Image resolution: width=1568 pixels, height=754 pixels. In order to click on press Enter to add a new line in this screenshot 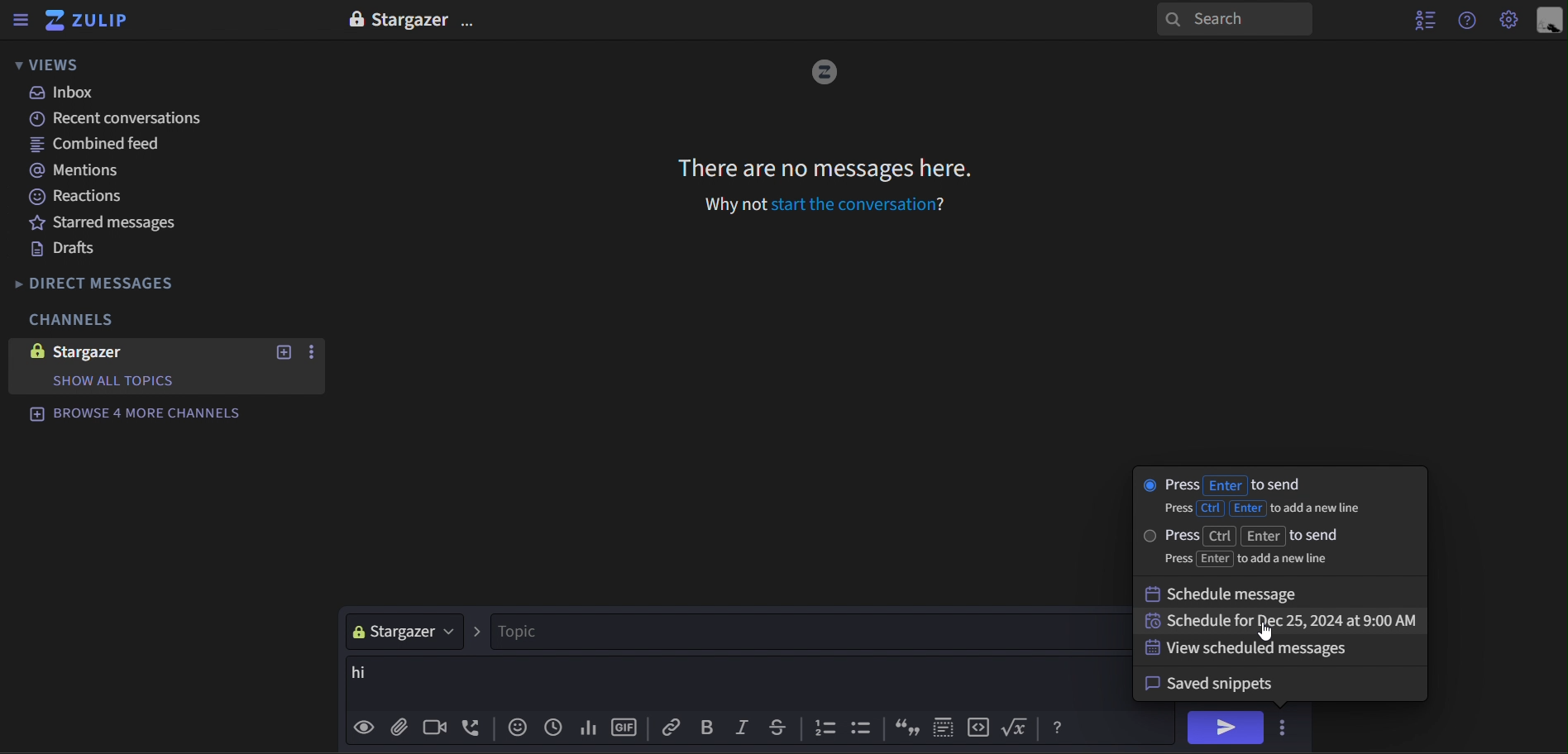, I will do `click(1291, 557)`.